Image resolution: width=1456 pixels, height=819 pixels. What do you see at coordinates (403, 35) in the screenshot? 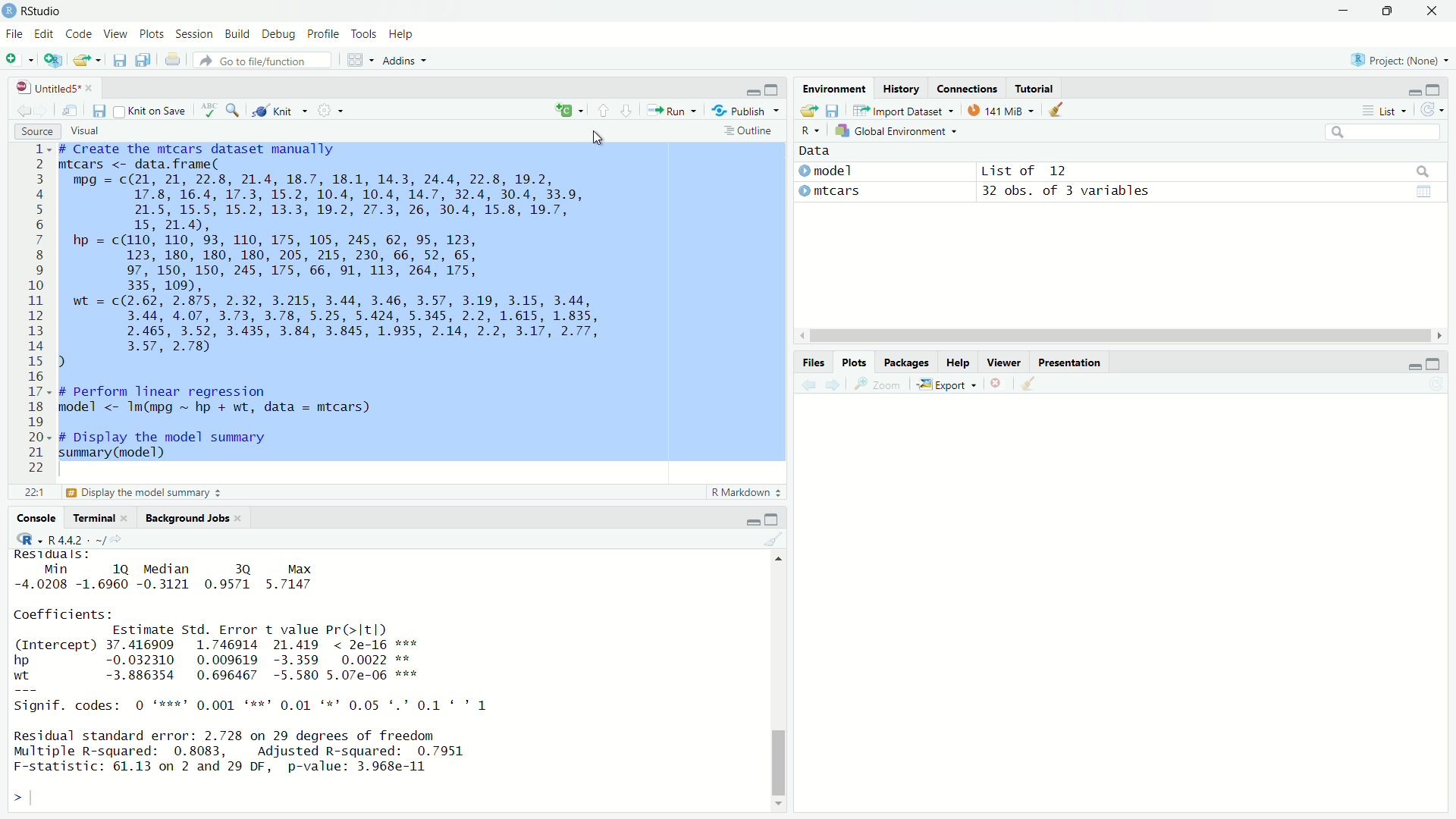
I see `help` at bounding box center [403, 35].